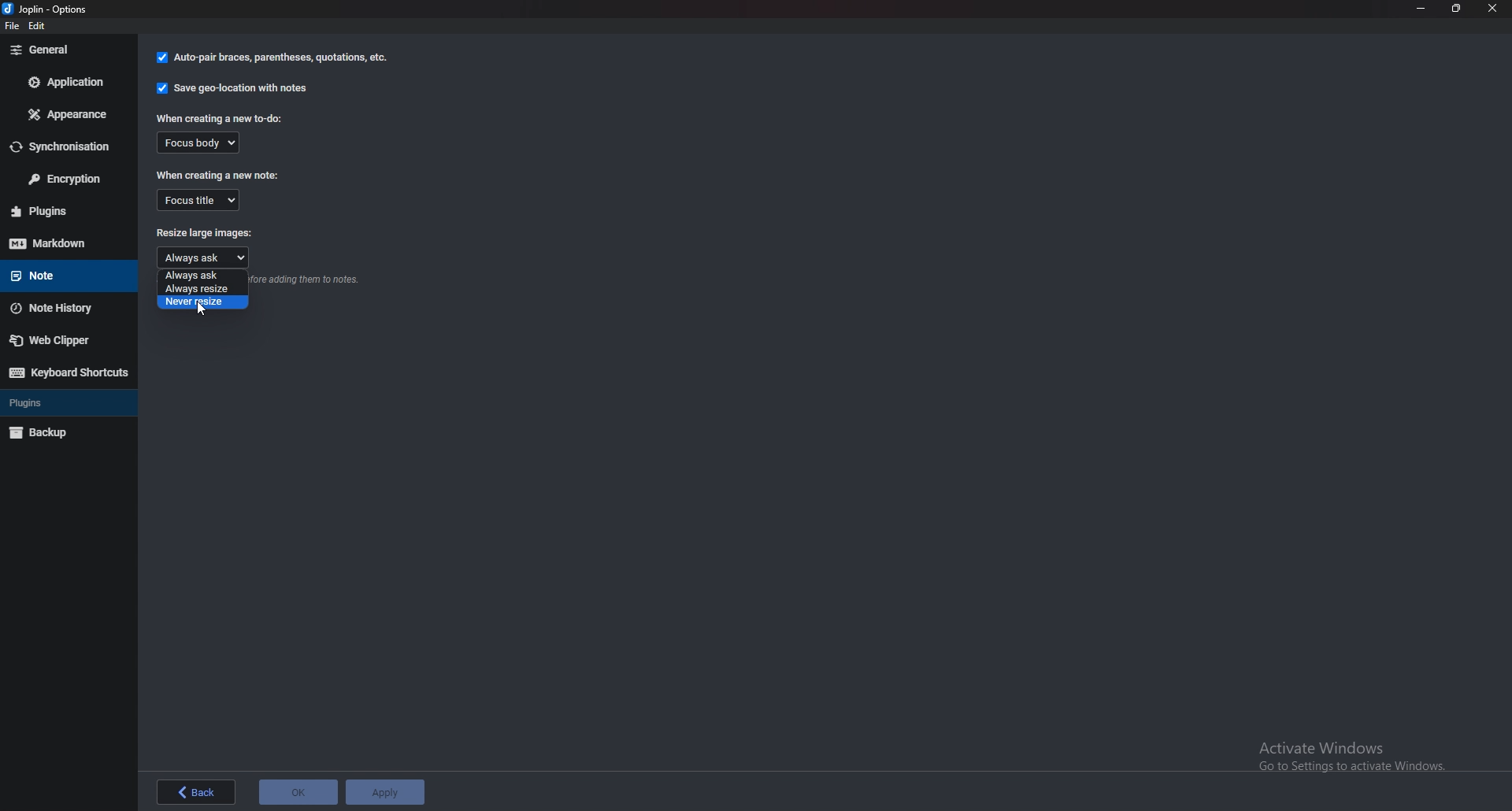  Describe the element at coordinates (58, 431) in the screenshot. I see `Back up` at that location.